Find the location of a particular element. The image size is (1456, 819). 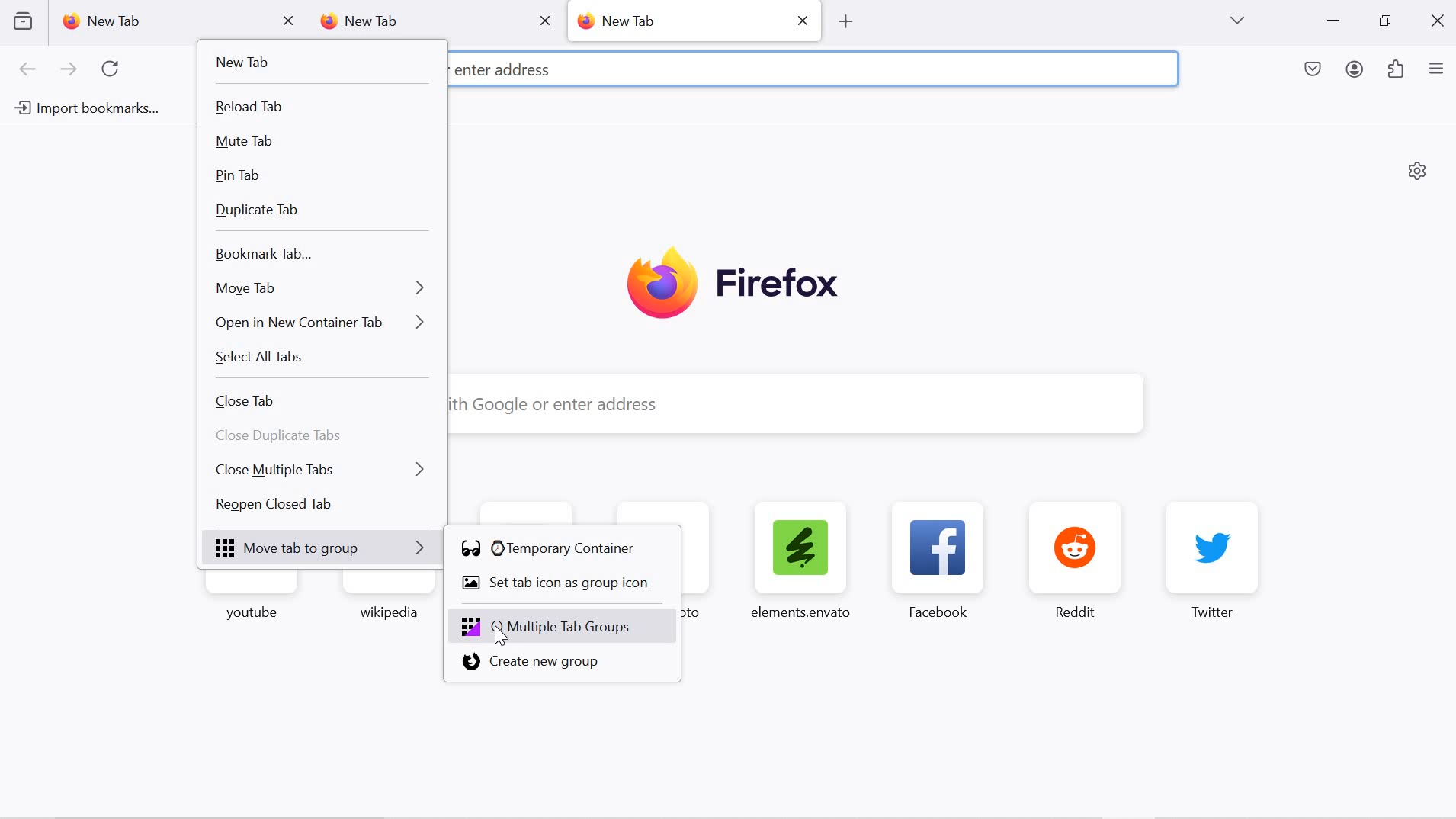

temporary container is located at coordinates (562, 548).